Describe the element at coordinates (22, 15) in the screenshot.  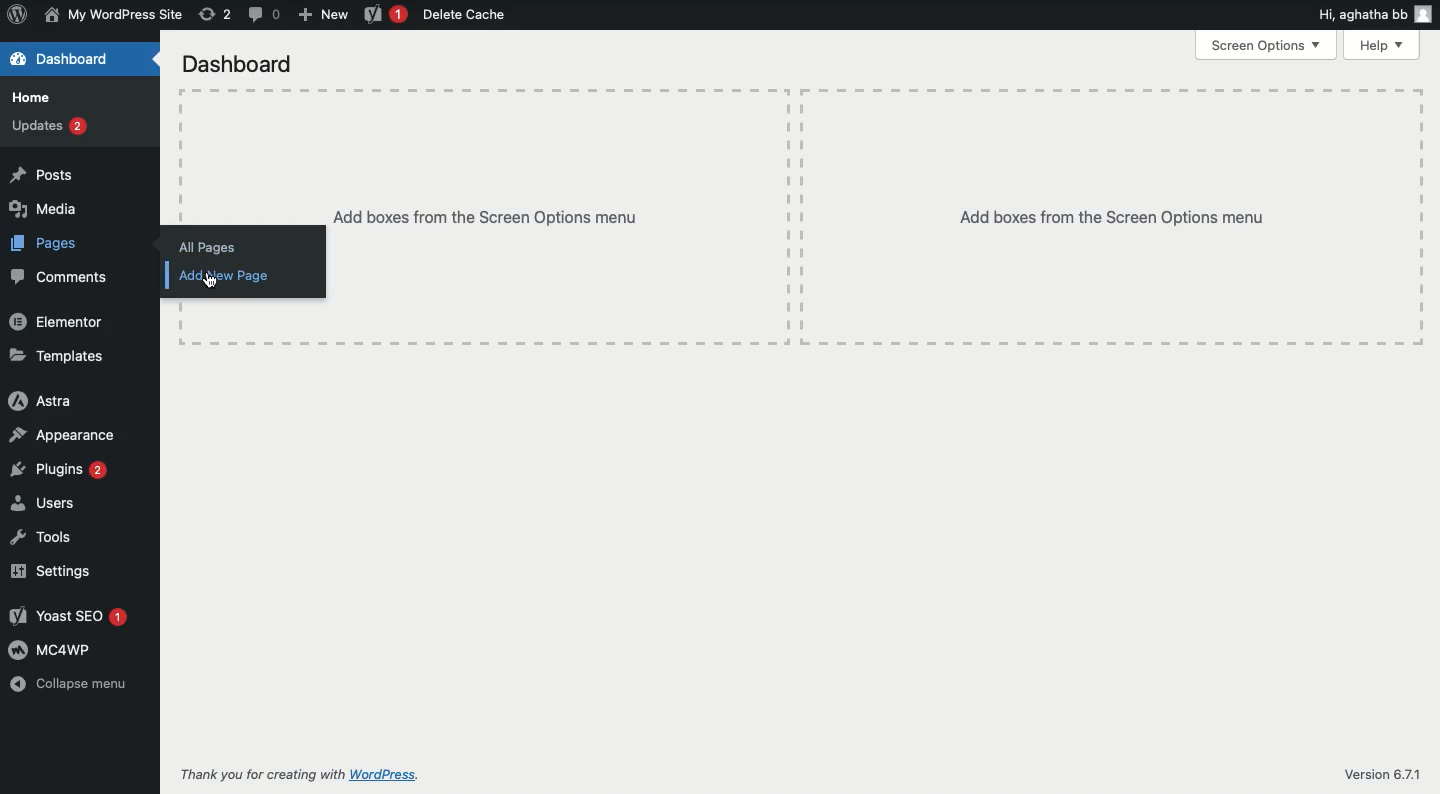
I see `Wordpress logo` at that location.